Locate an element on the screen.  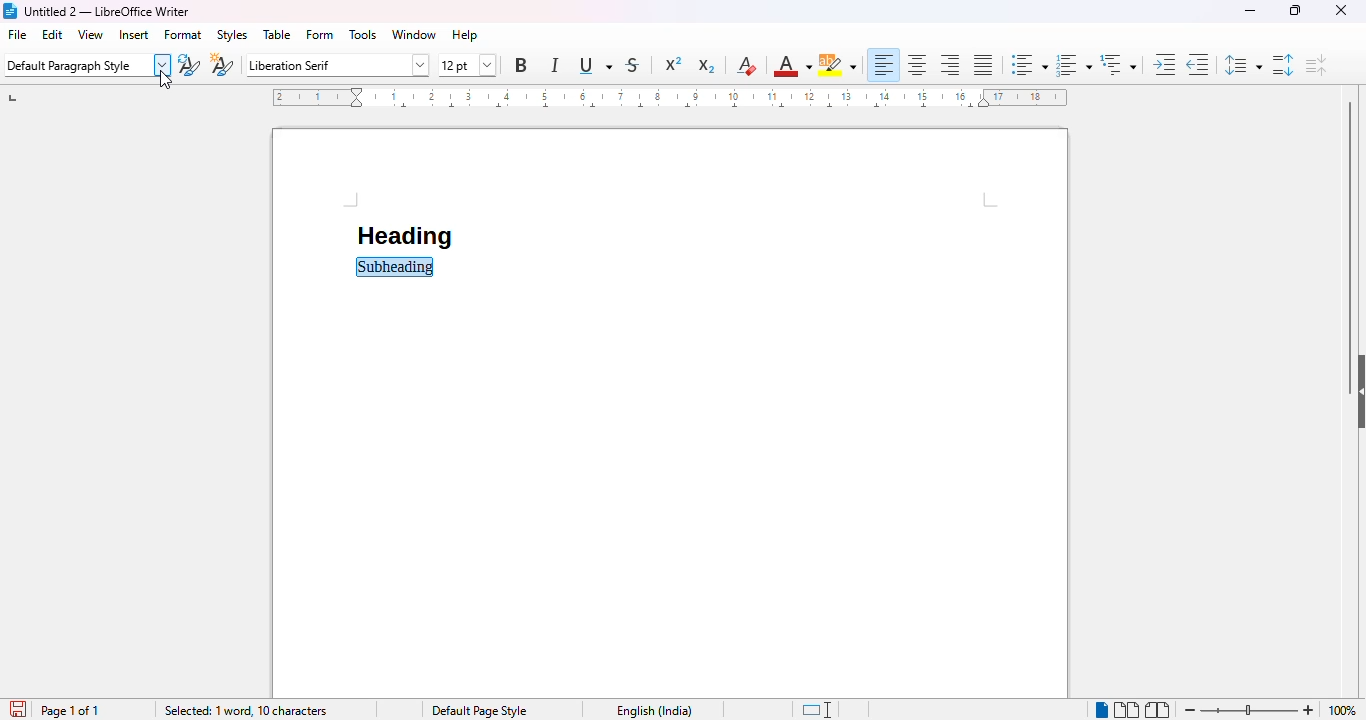
vertical scroll bar is located at coordinates (1346, 222).